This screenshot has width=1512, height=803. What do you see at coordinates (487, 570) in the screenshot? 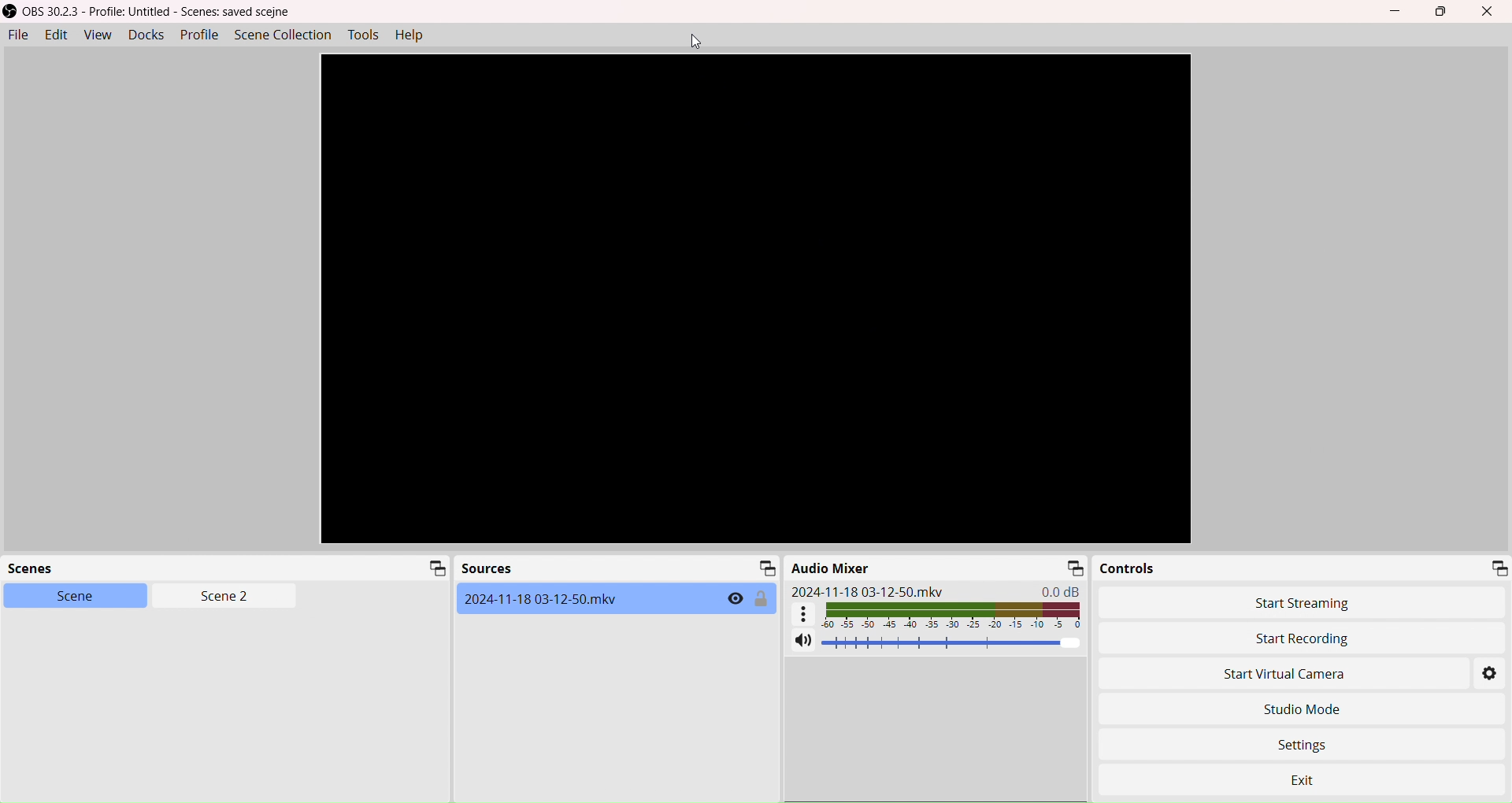
I see `Sources` at bounding box center [487, 570].